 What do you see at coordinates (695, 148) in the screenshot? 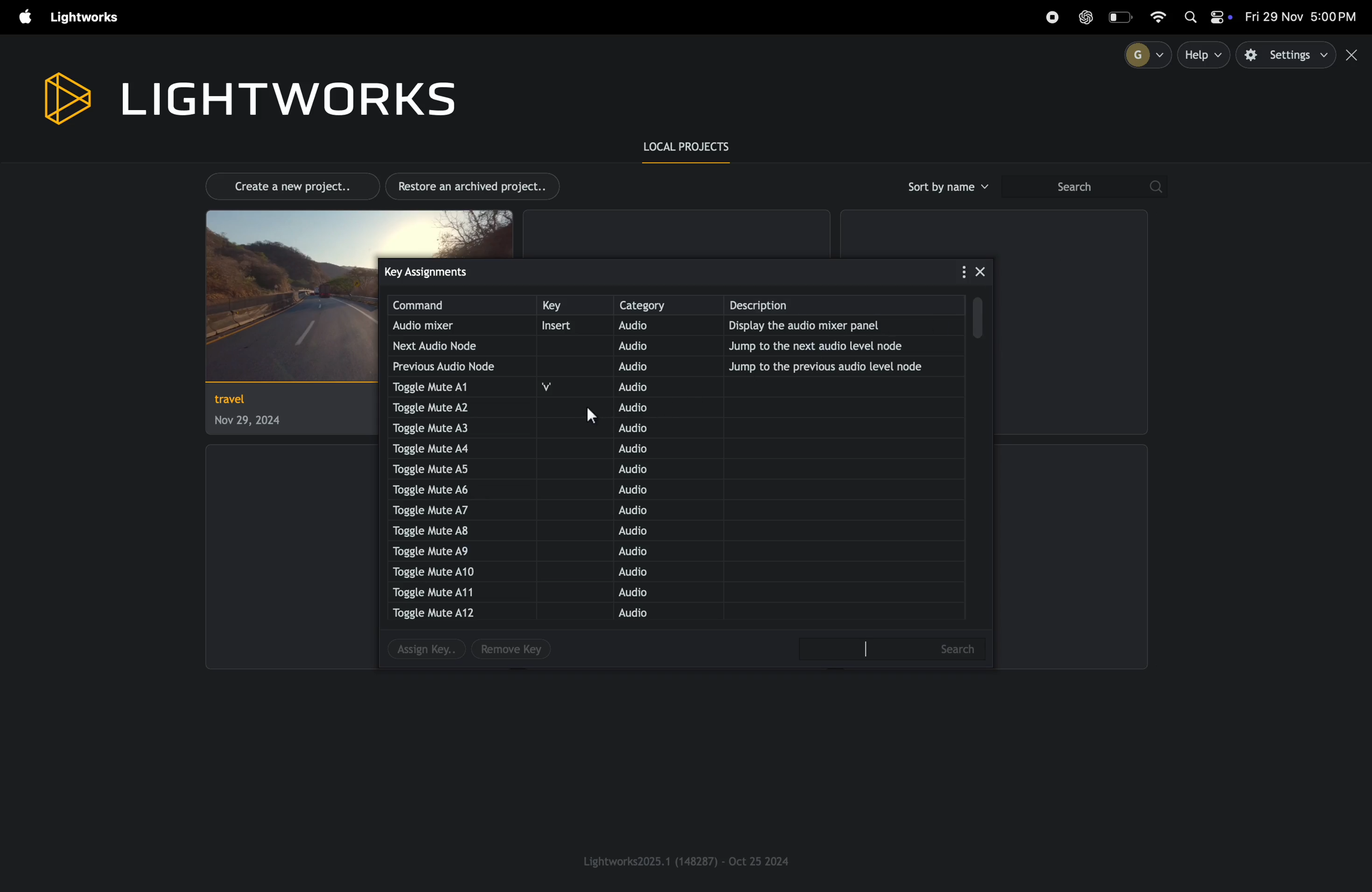
I see `local prroject` at bounding box center [695, 148].